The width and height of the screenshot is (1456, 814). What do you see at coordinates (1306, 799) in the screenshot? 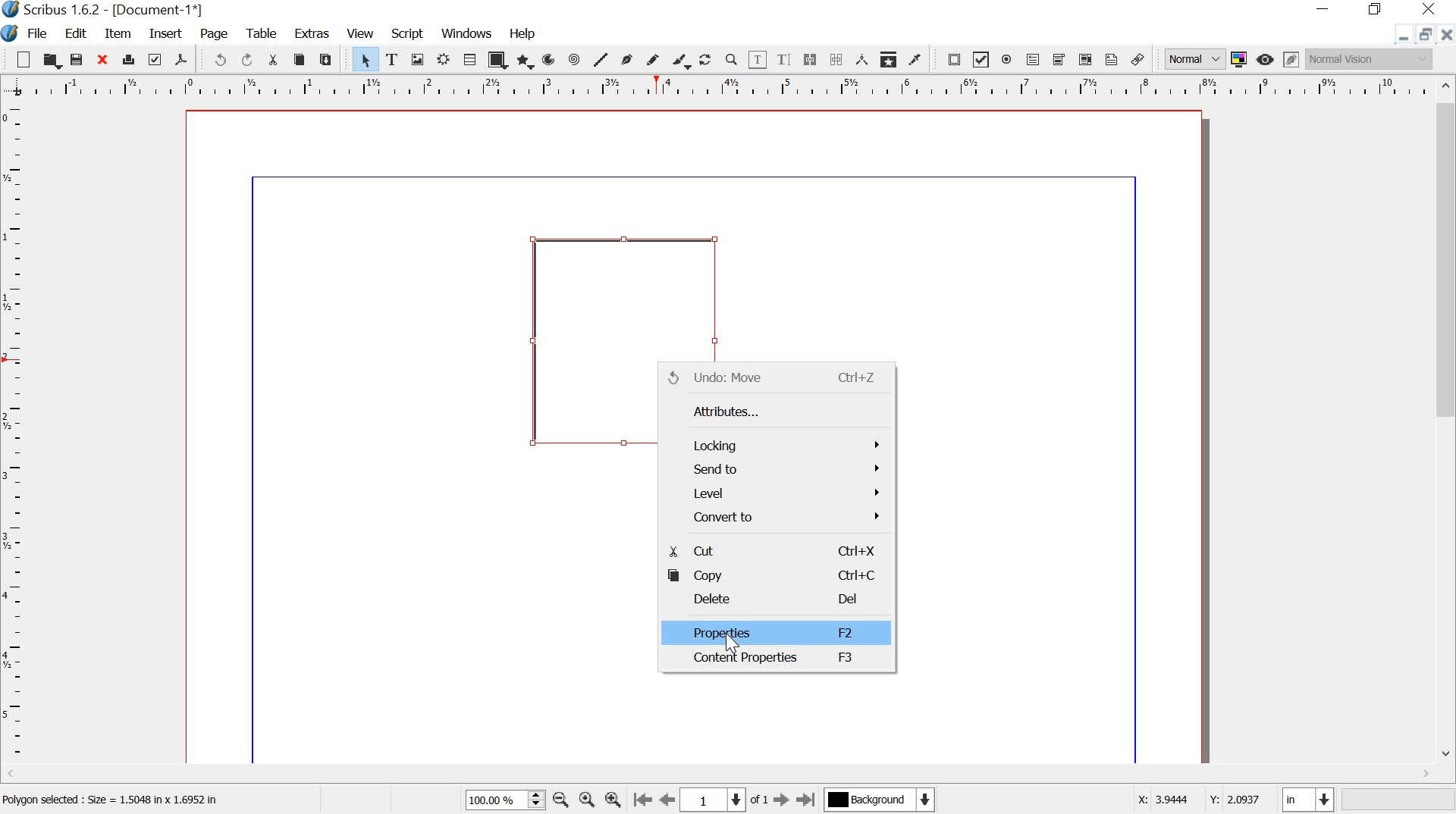
I see `in` at bounding box center [1306, 799].